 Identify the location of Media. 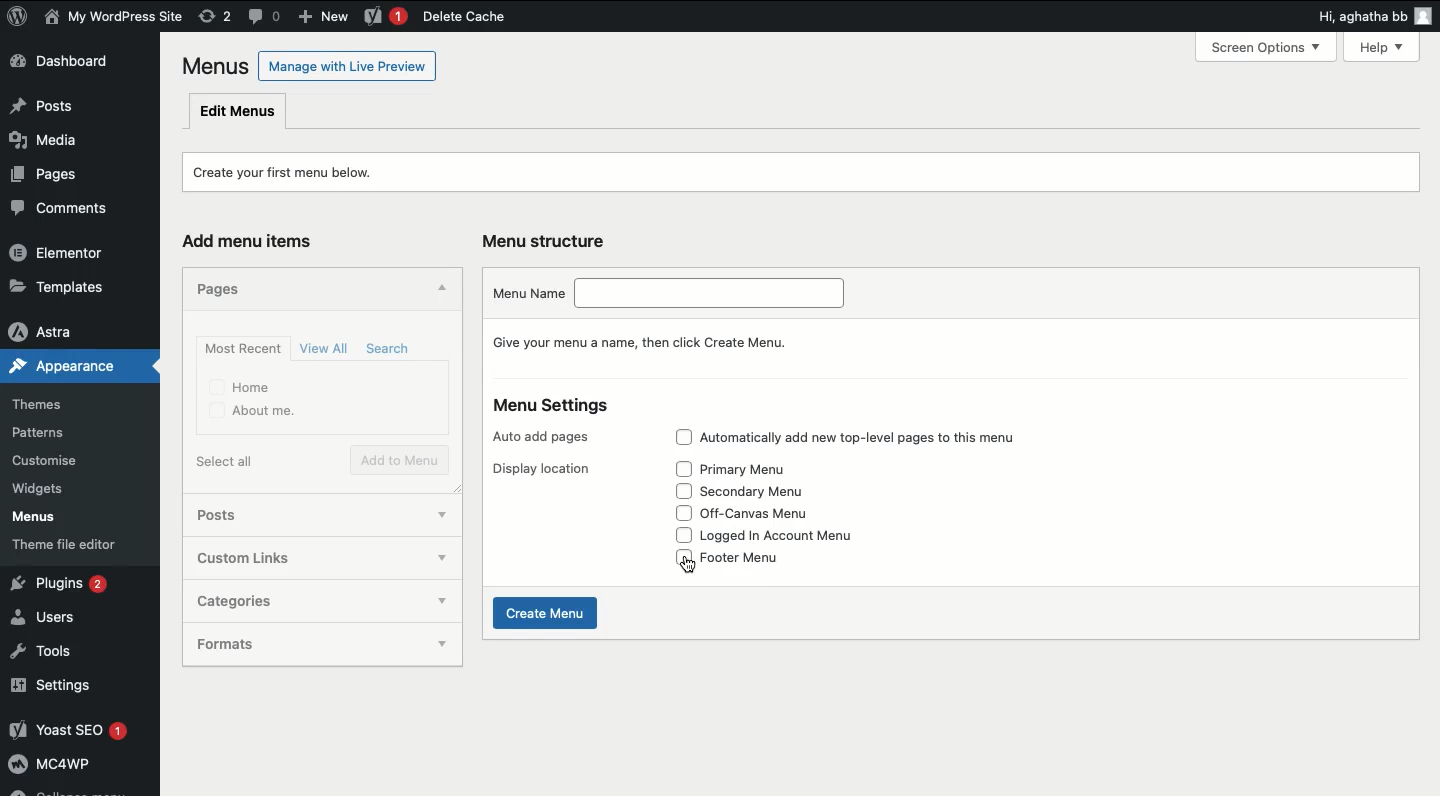
(54, 145).